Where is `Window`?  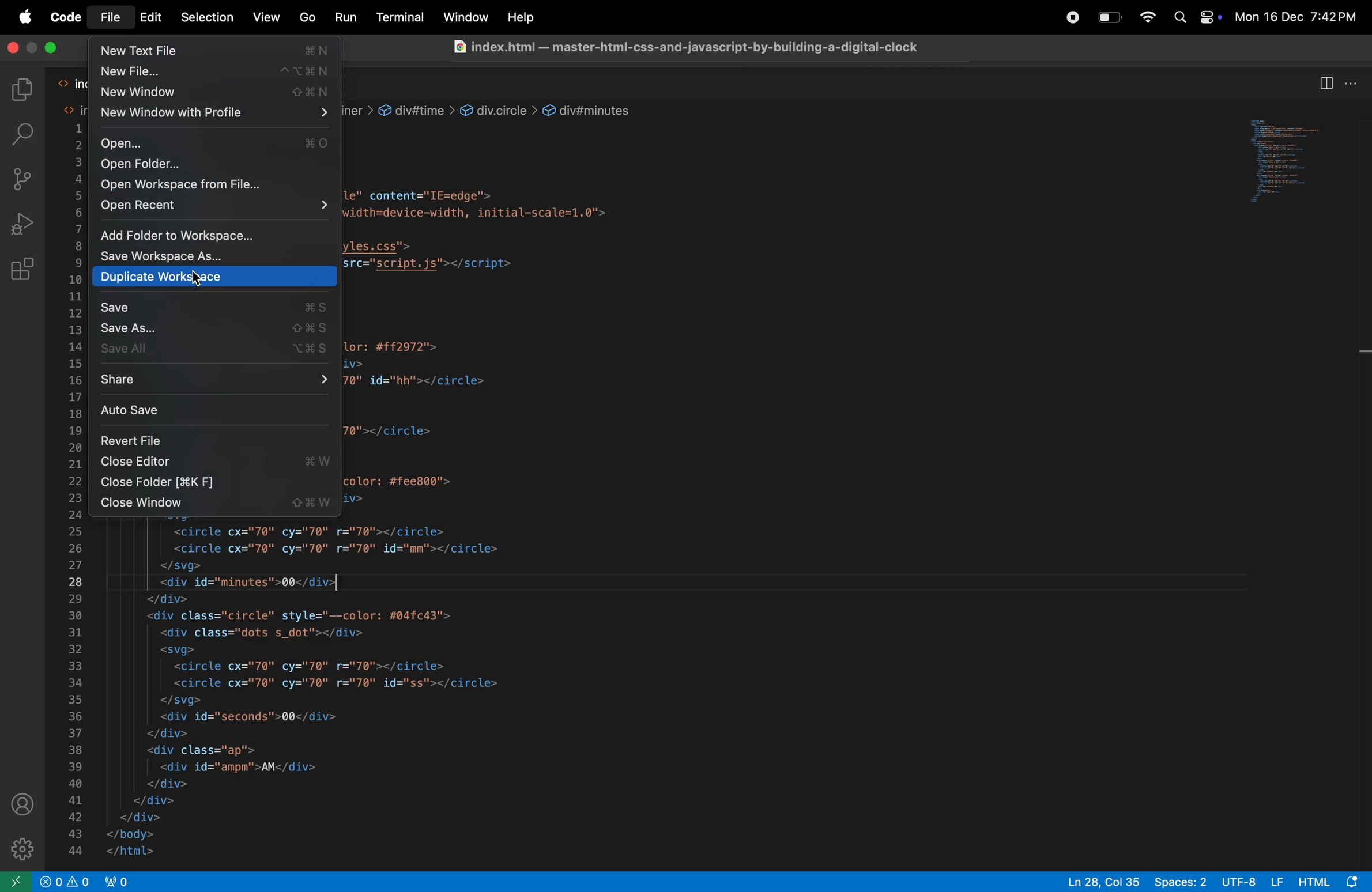 Window is located at coordinates (465, 17).